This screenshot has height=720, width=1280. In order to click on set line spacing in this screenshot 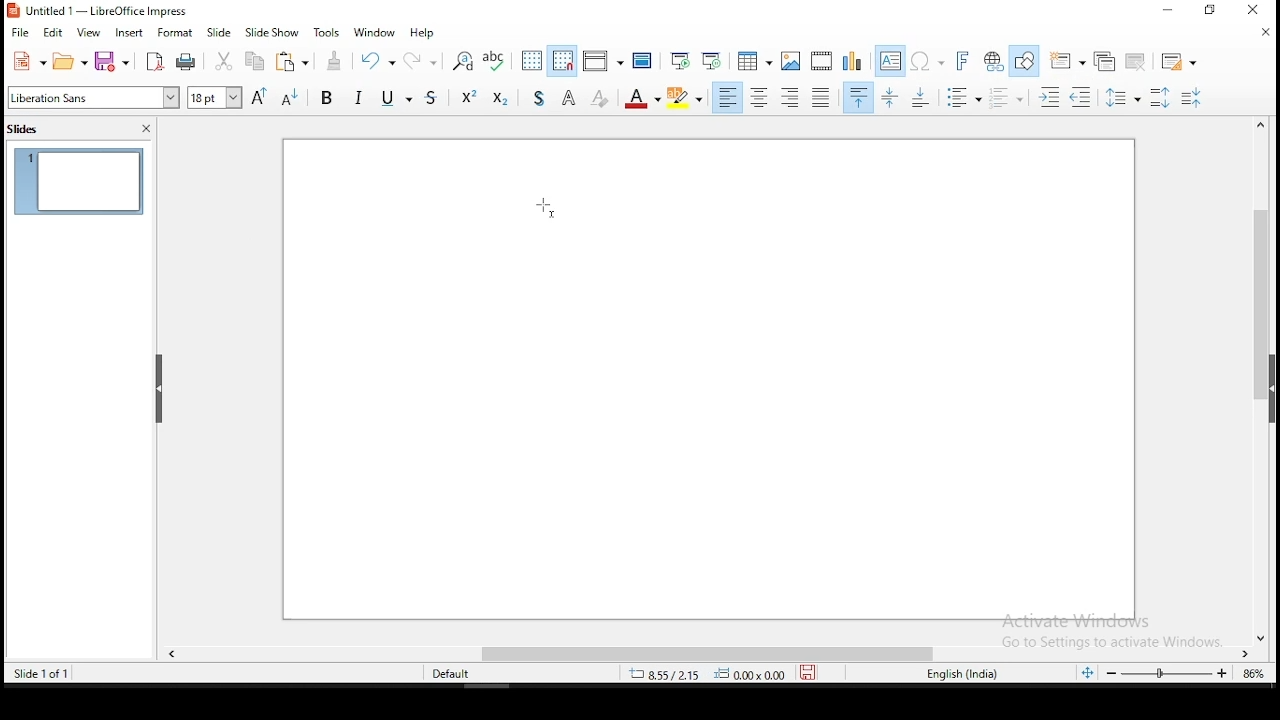, I will do `click(1127, 100)`.